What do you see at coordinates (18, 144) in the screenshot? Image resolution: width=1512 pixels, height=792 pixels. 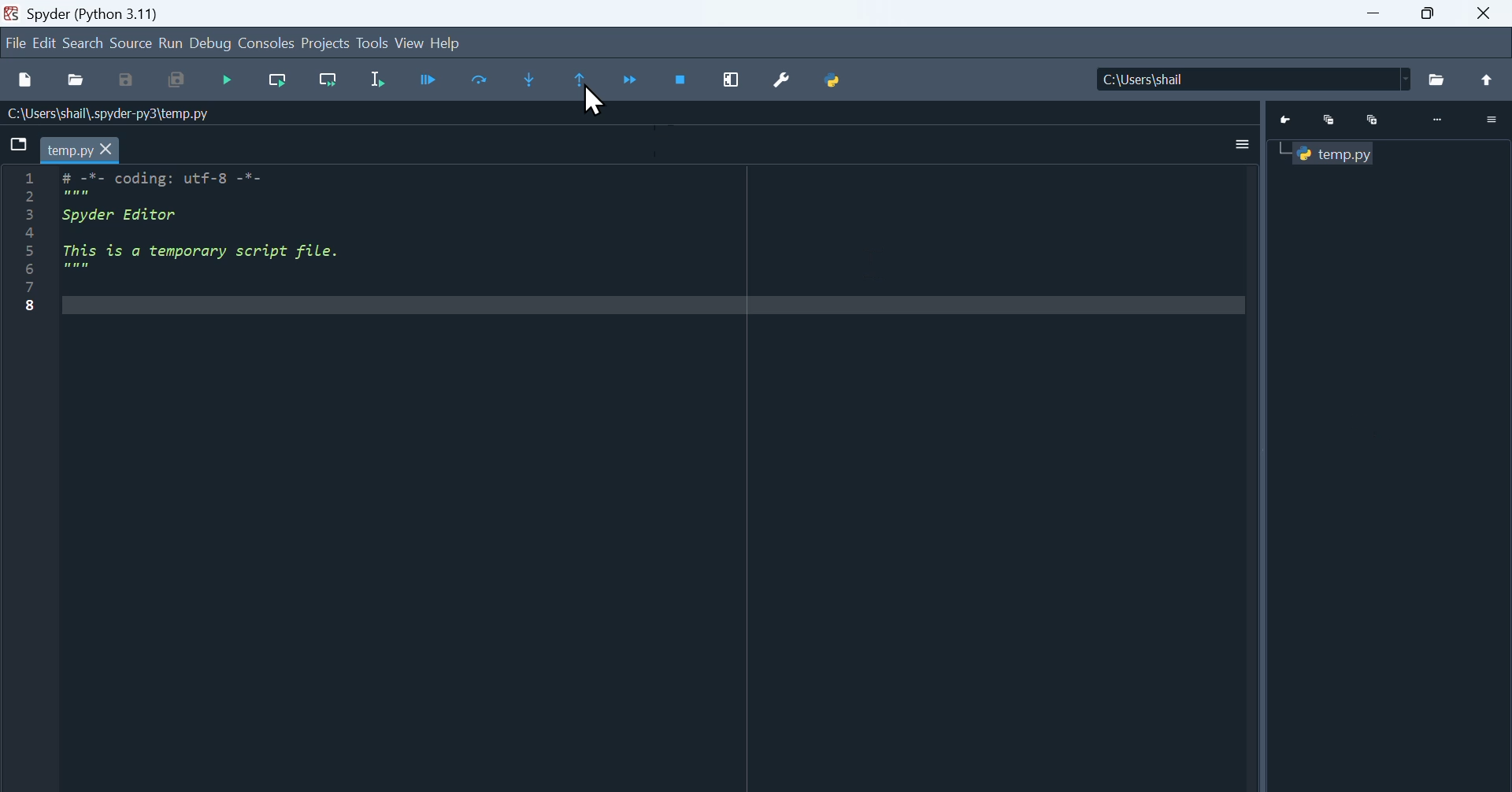 I see `Browse tabs` at bounding box center [18, 144].